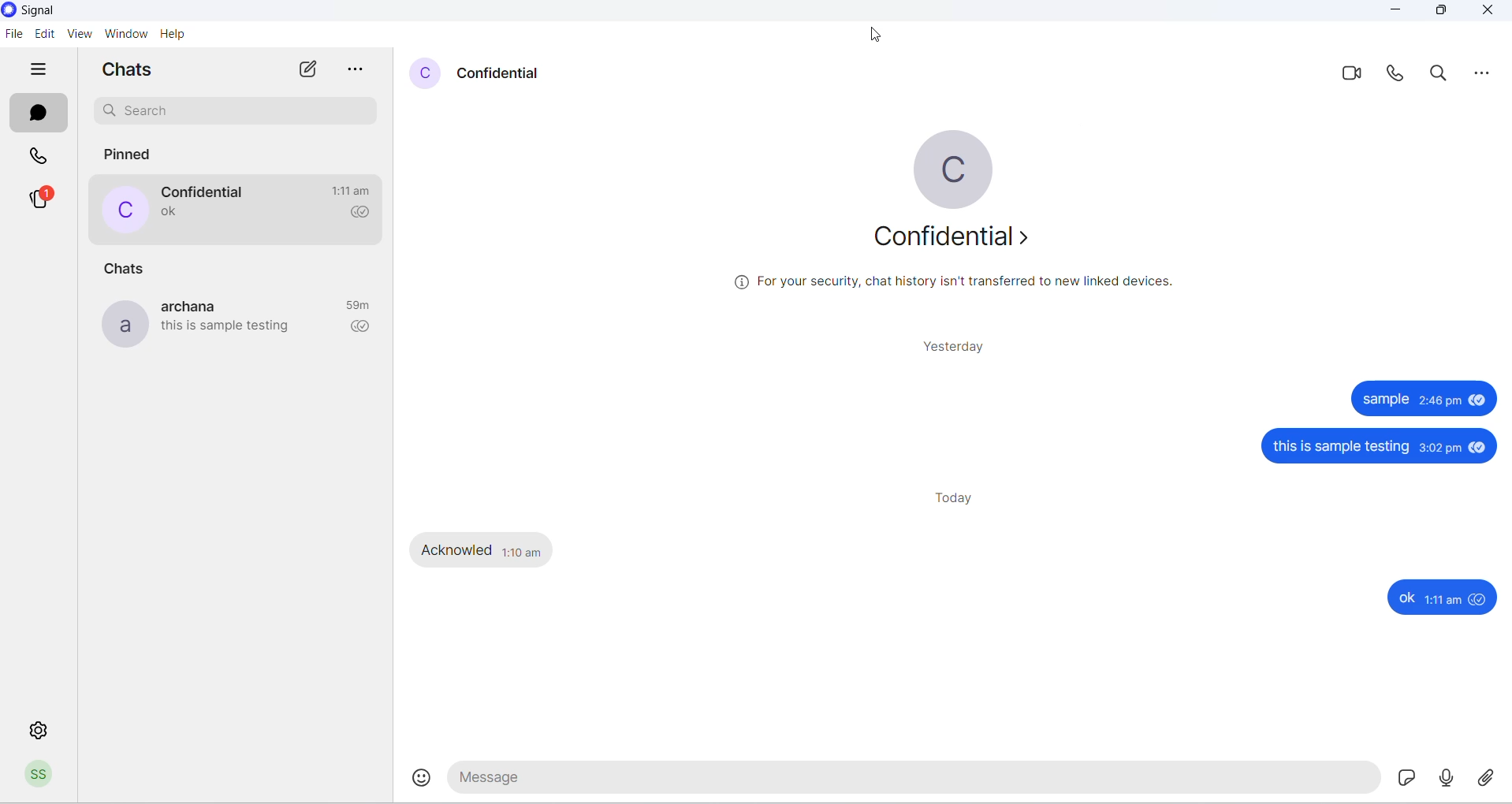 Image resolution: width=1512 pixels, height=804 pixels. I want to click on last message, so click(179, 213).